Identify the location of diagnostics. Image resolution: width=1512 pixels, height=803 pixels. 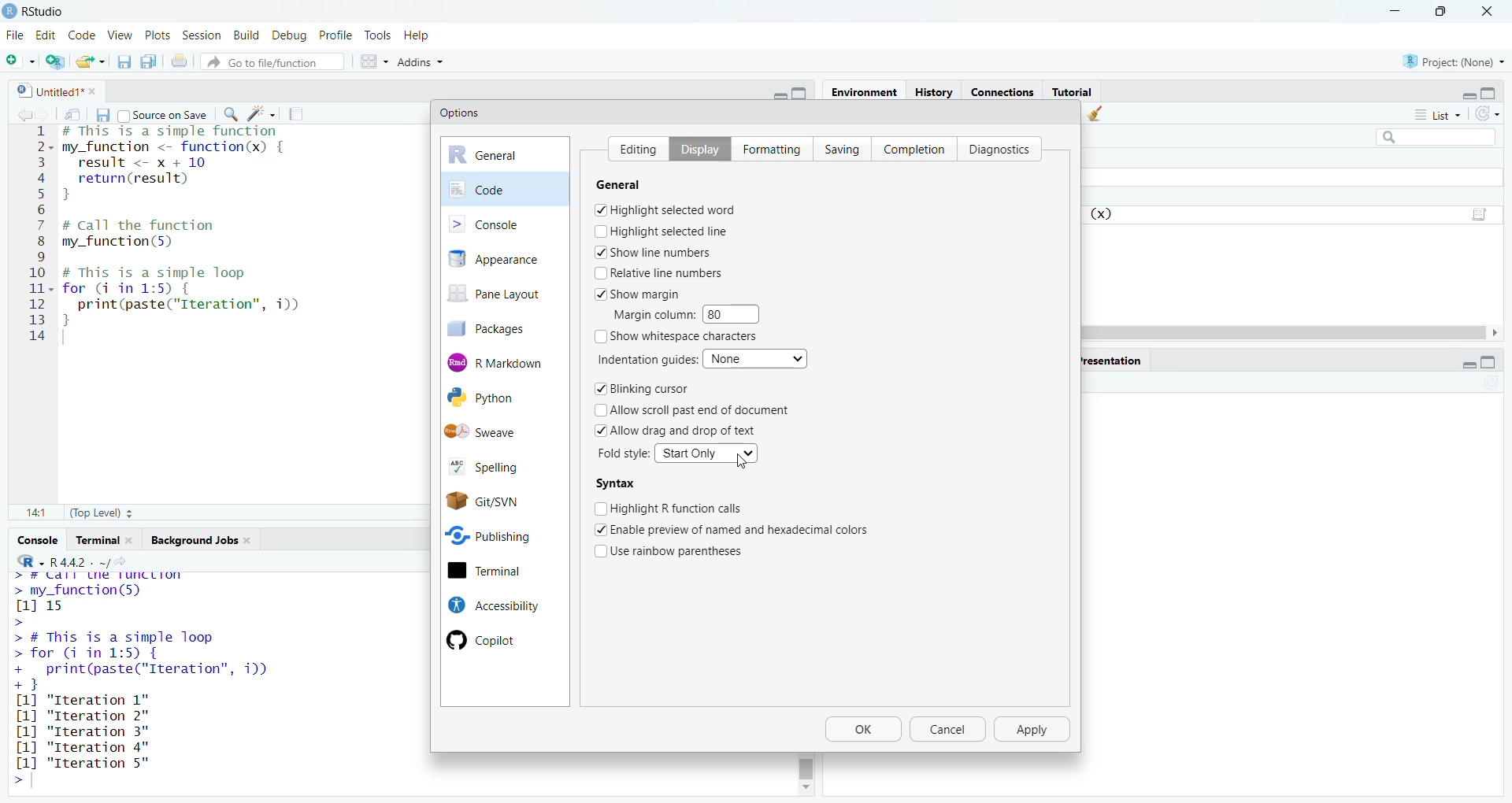
(1003, 148).